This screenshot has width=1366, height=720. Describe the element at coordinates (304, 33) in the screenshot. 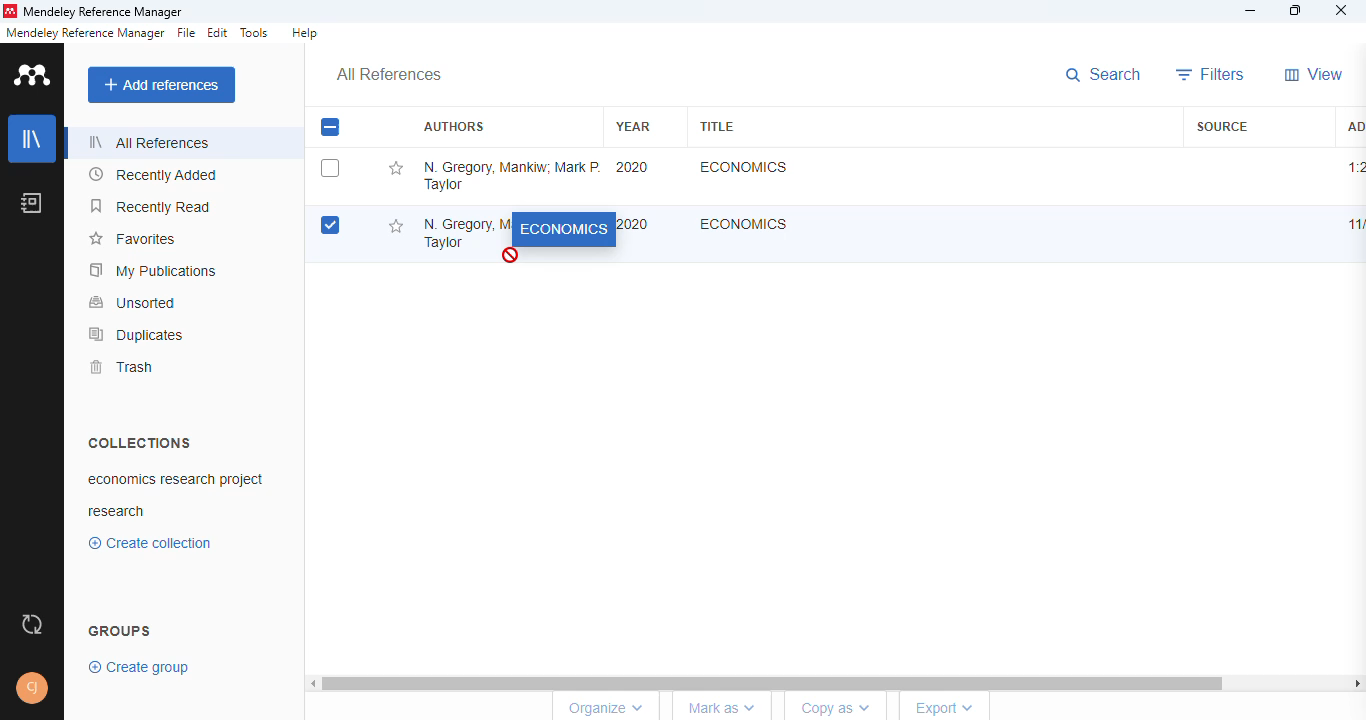

I see `help` at that location.